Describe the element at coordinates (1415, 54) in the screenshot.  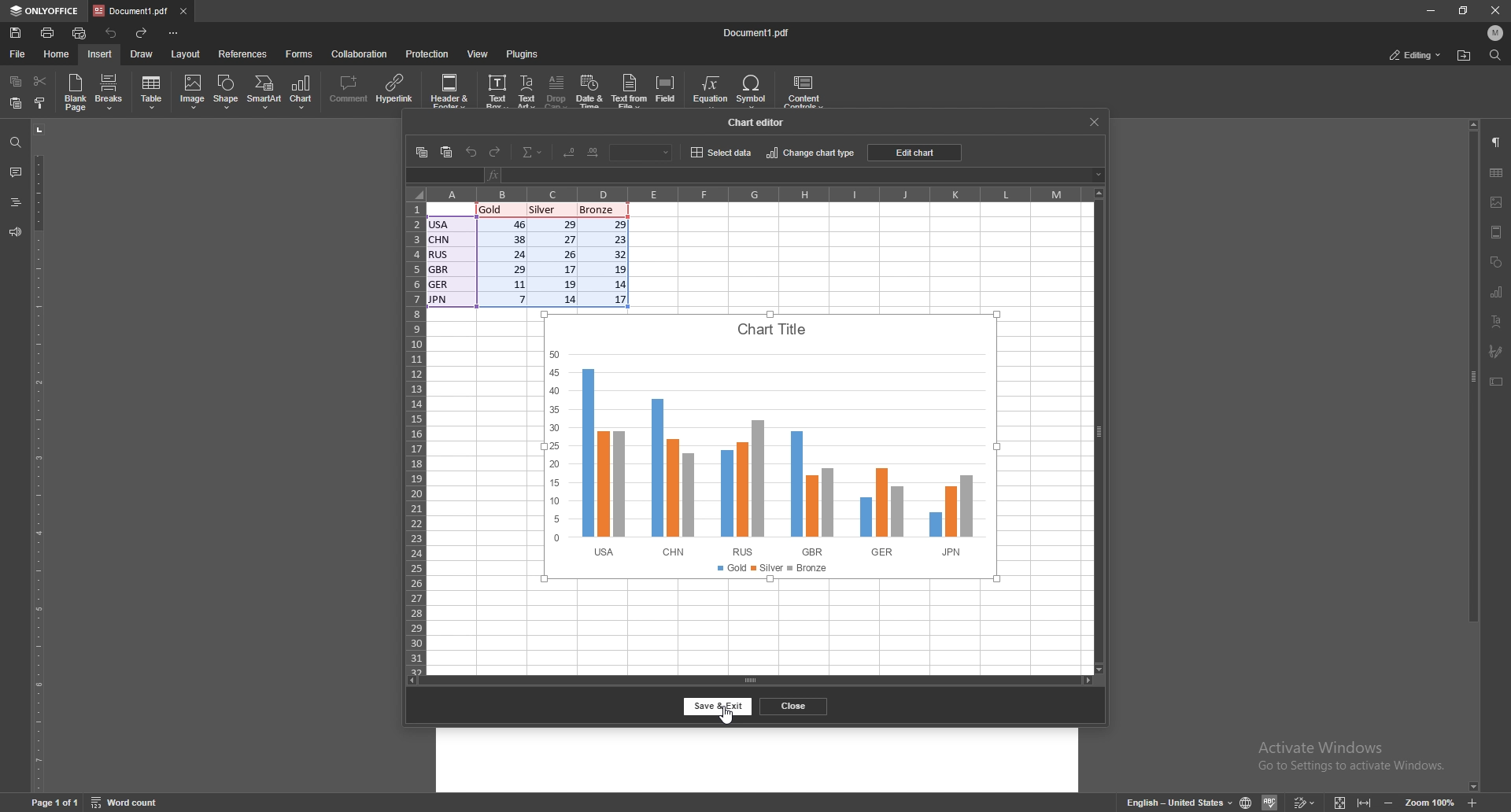
I see `status` at that location.